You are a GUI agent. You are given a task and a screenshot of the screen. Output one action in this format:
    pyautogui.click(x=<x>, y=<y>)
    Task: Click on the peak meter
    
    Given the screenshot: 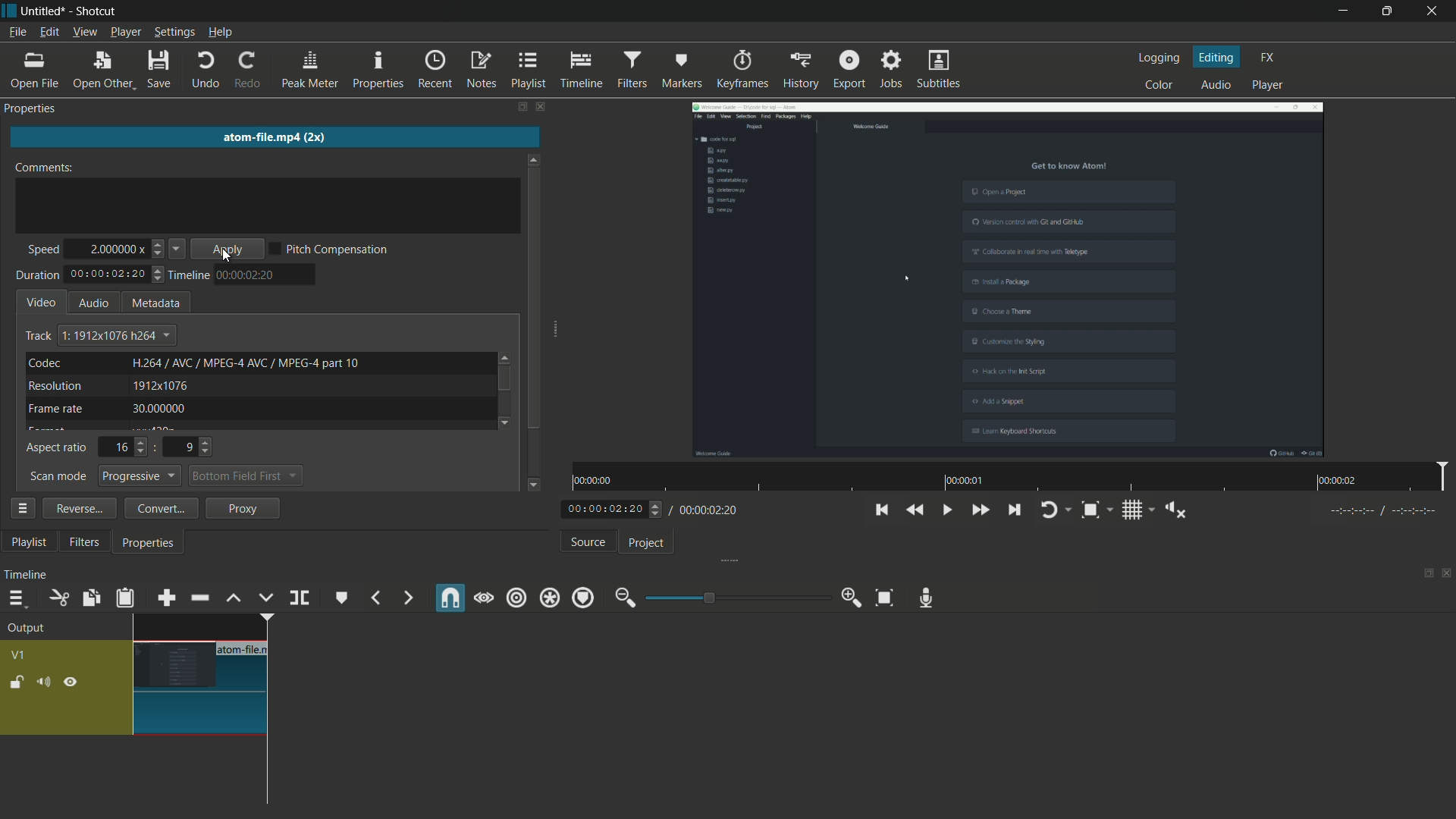 What is the action you would take?
    pyautogui.click(x=309, y=71)
    